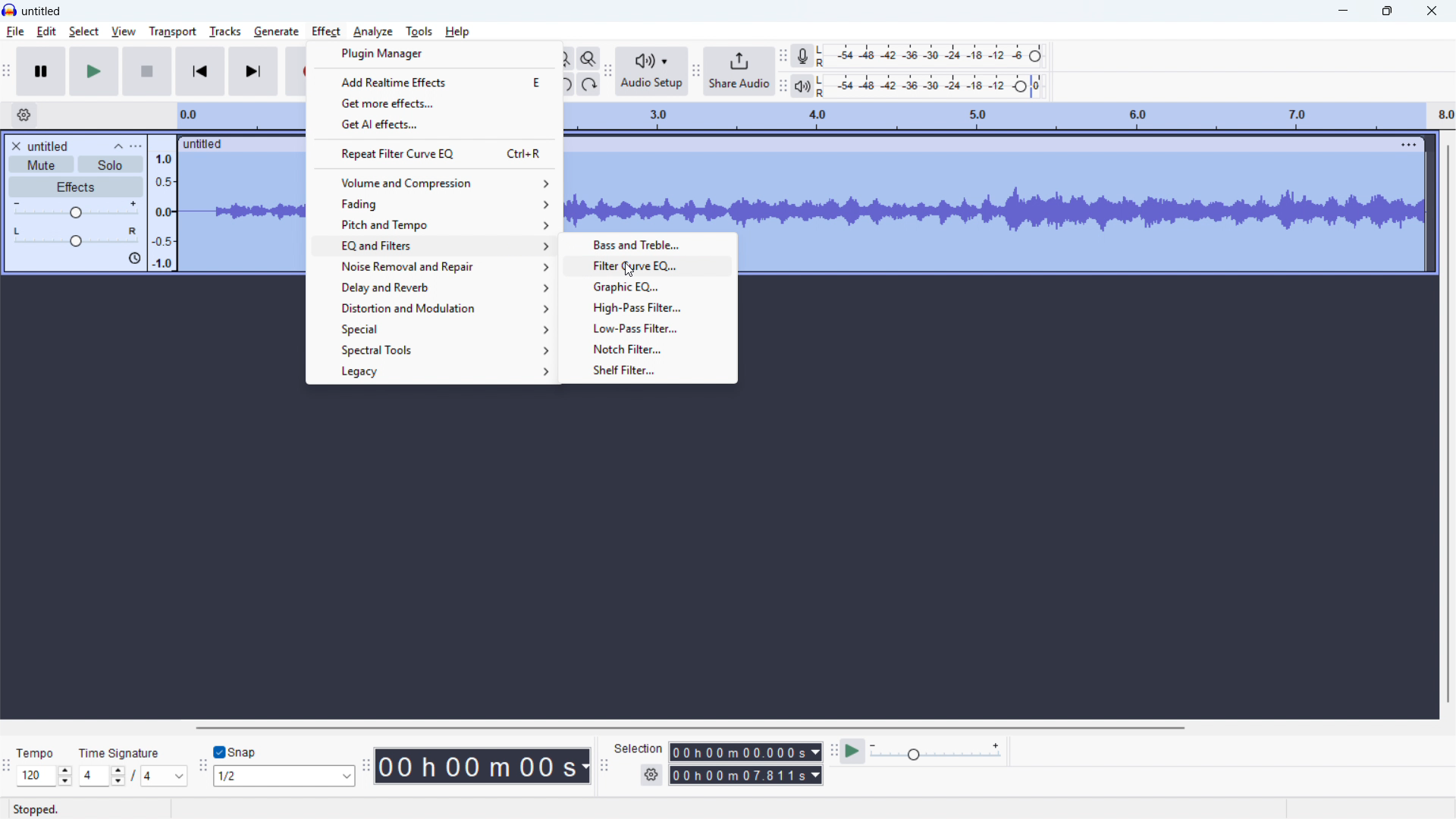 This screenshot has height=819, width=1456. Describe the element at coordinates (431, 372) in the screenshot. I see `legacy` at that location.